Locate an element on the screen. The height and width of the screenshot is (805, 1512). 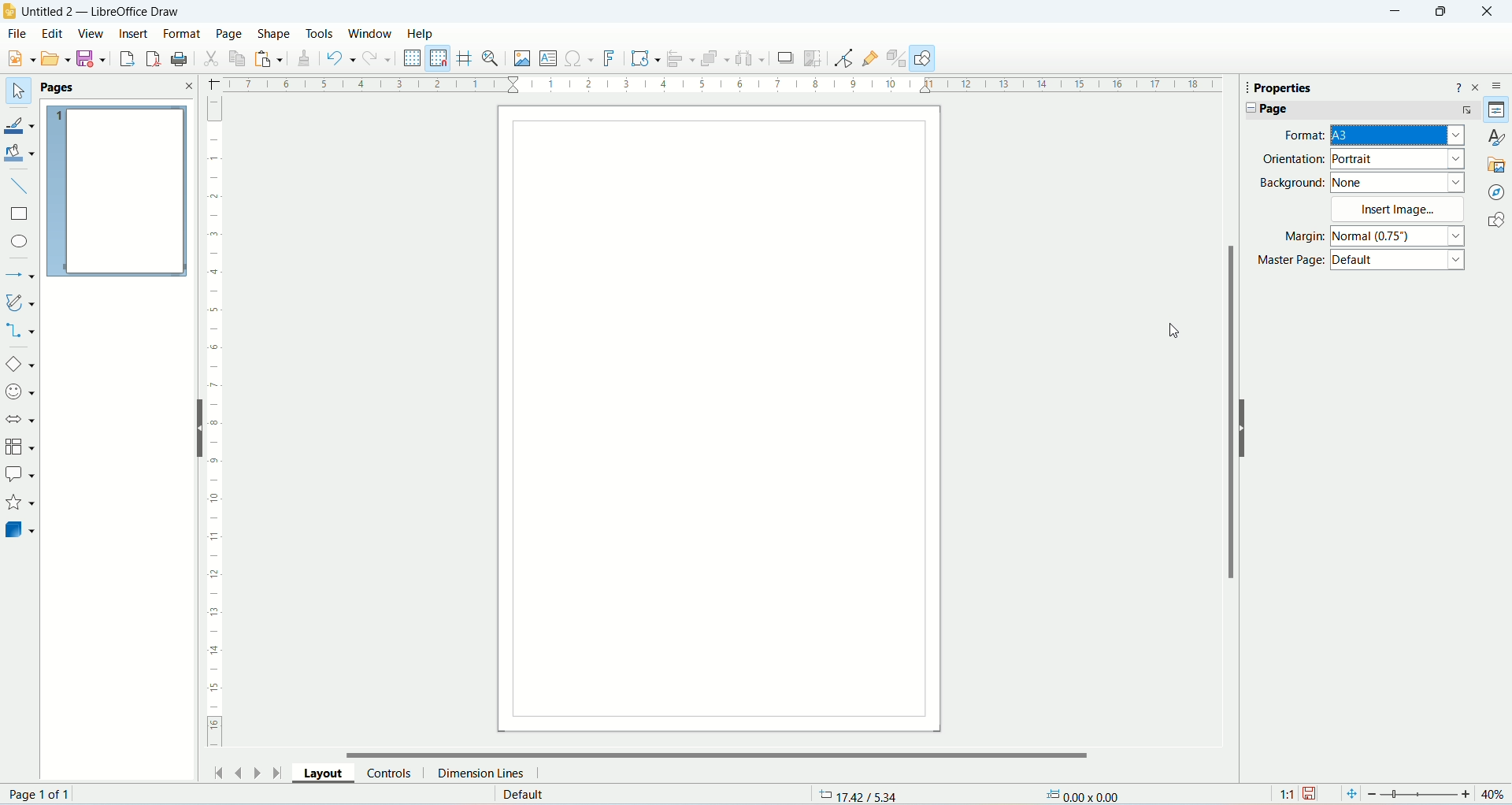
symbol shapes is located at coordinates (20, 392).